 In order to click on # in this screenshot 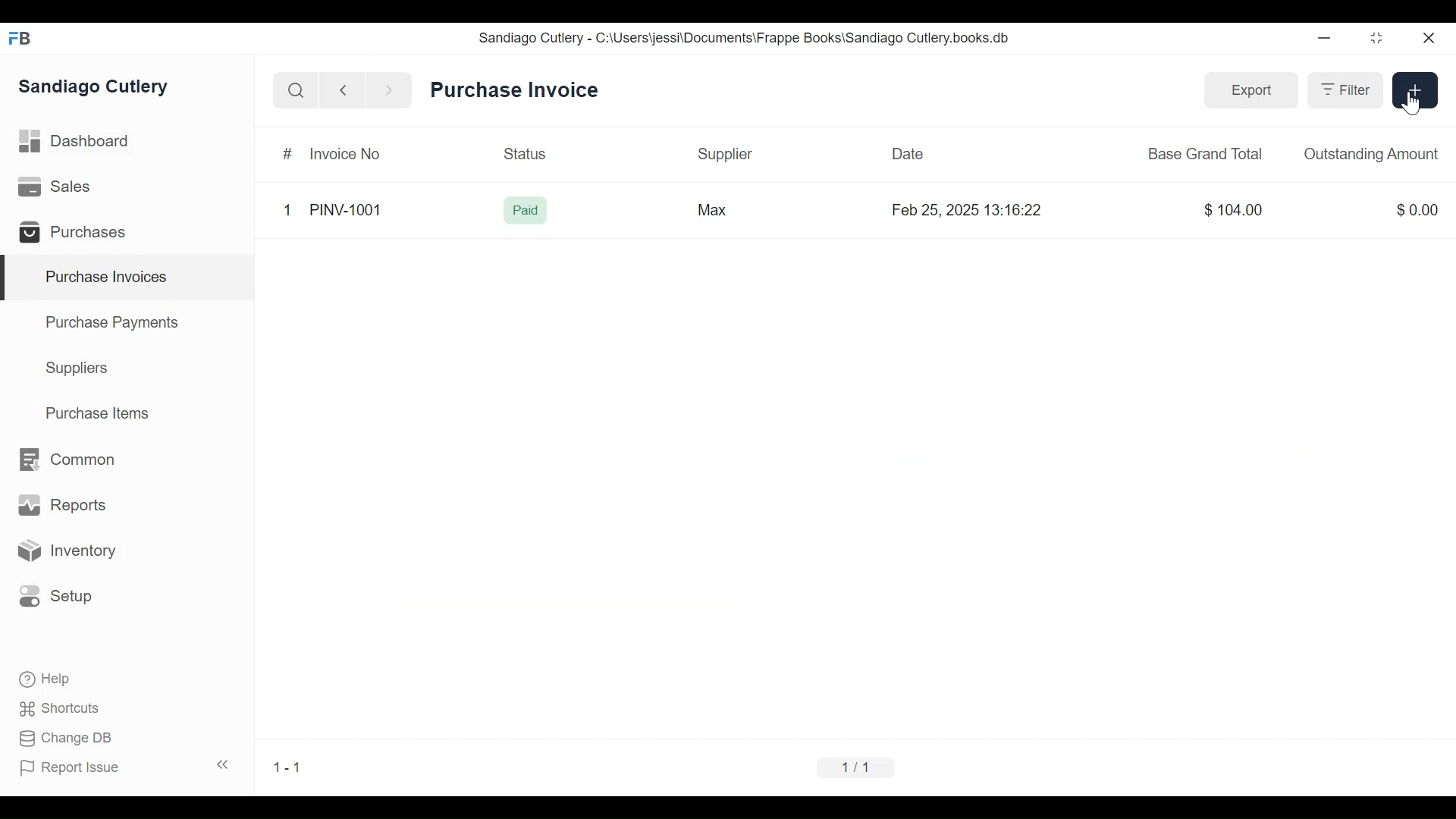, I will do `click(290, 155)`.